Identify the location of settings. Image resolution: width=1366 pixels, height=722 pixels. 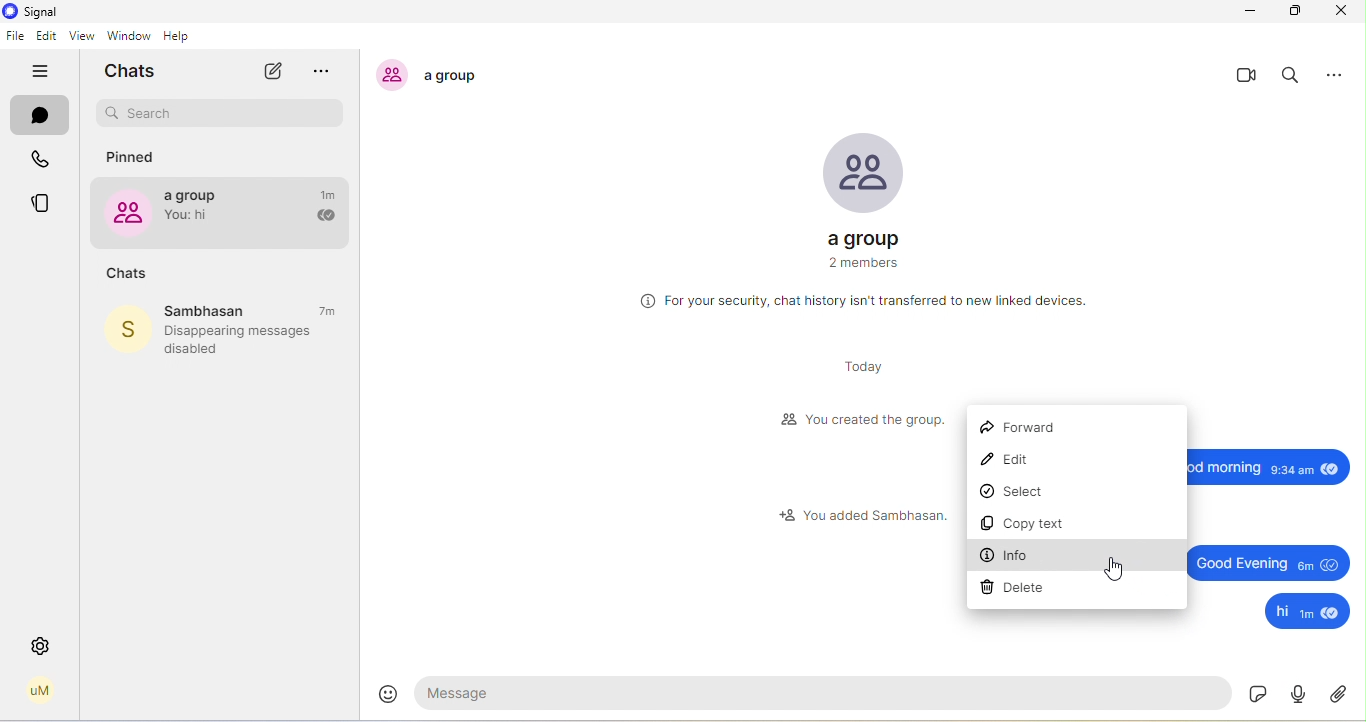
(41, 646).